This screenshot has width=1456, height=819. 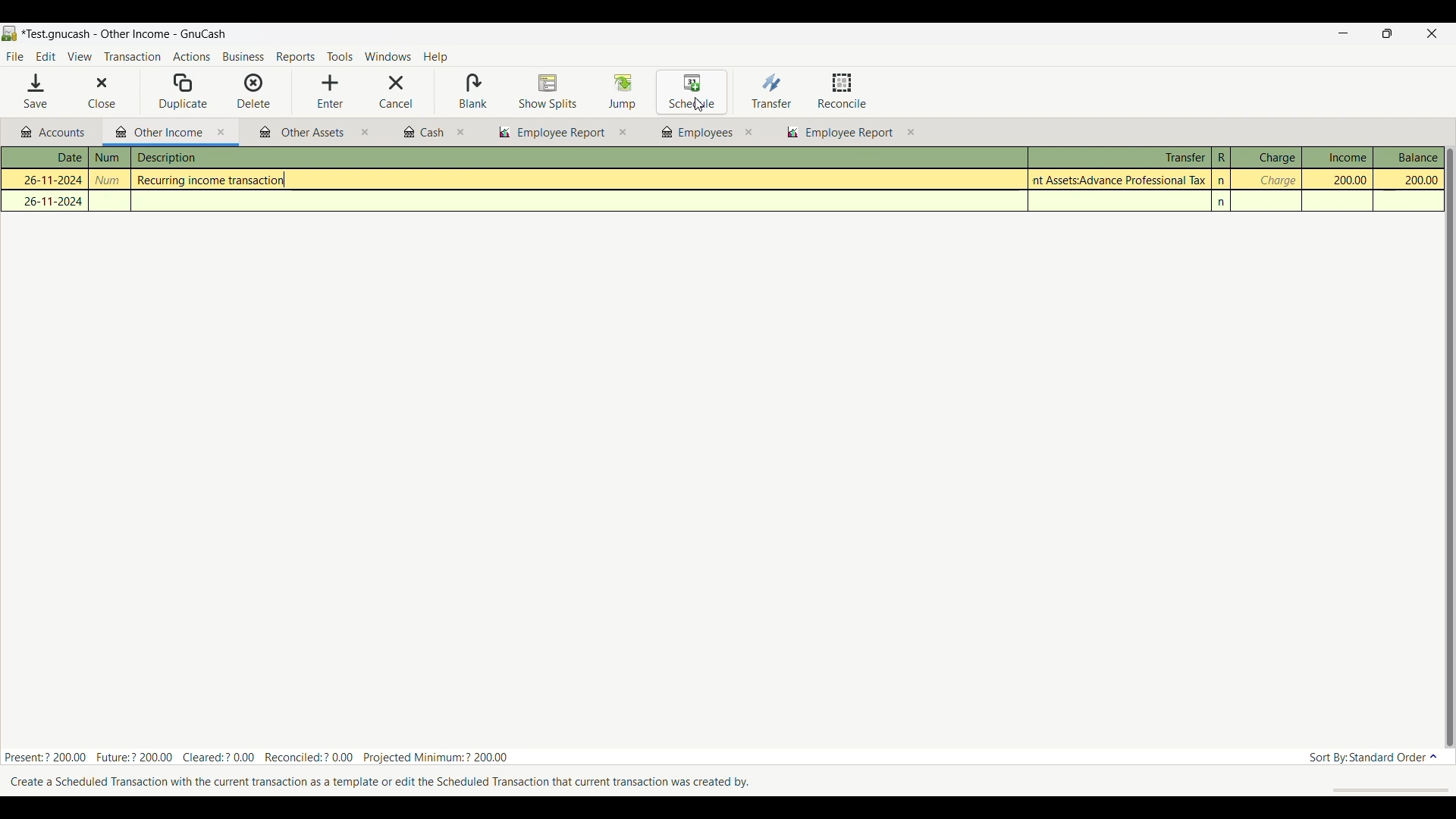 I want to click on cursor, so click(x=701, y=105).